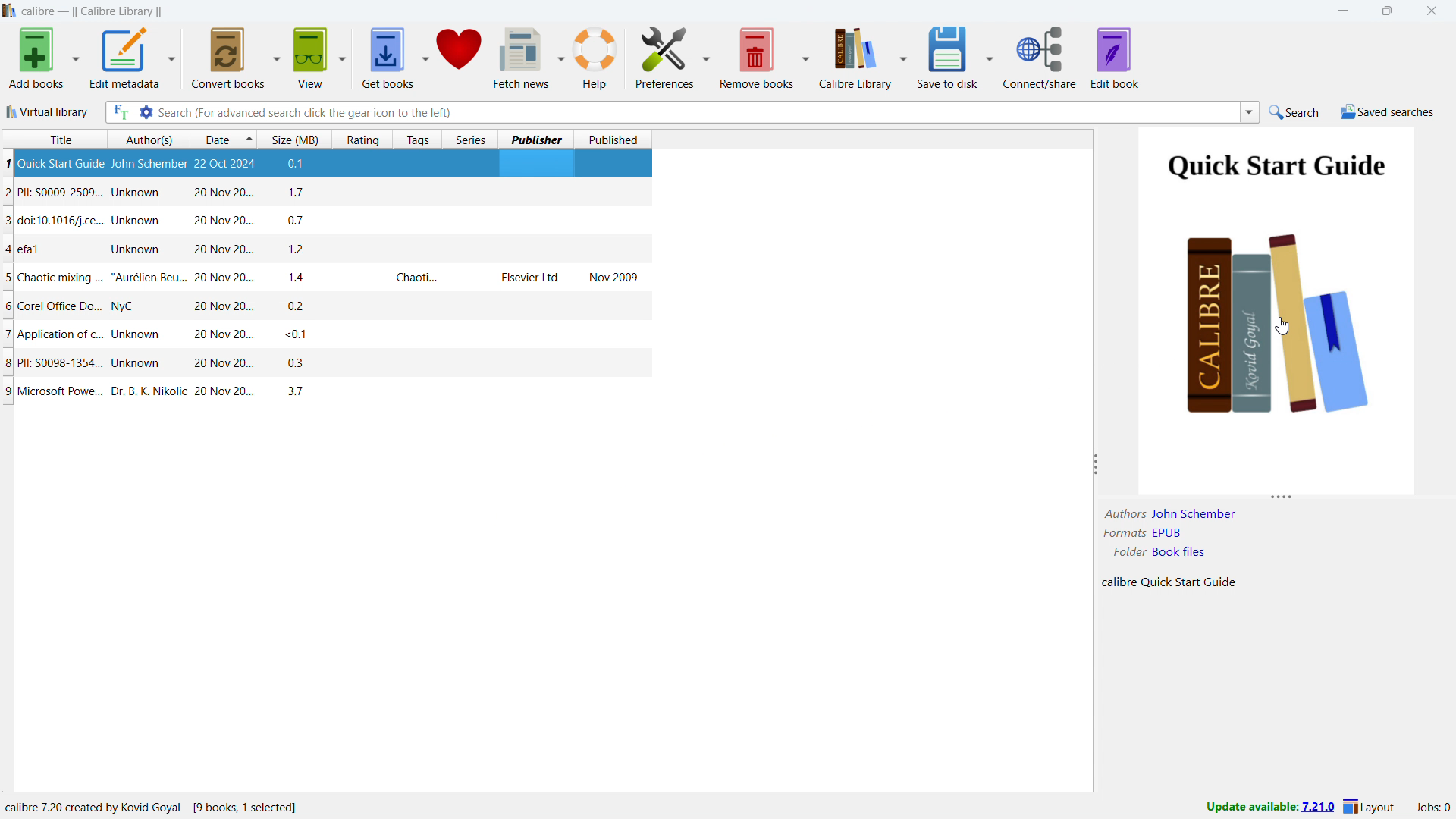  I want to click on save to disk, so click(948, 56).